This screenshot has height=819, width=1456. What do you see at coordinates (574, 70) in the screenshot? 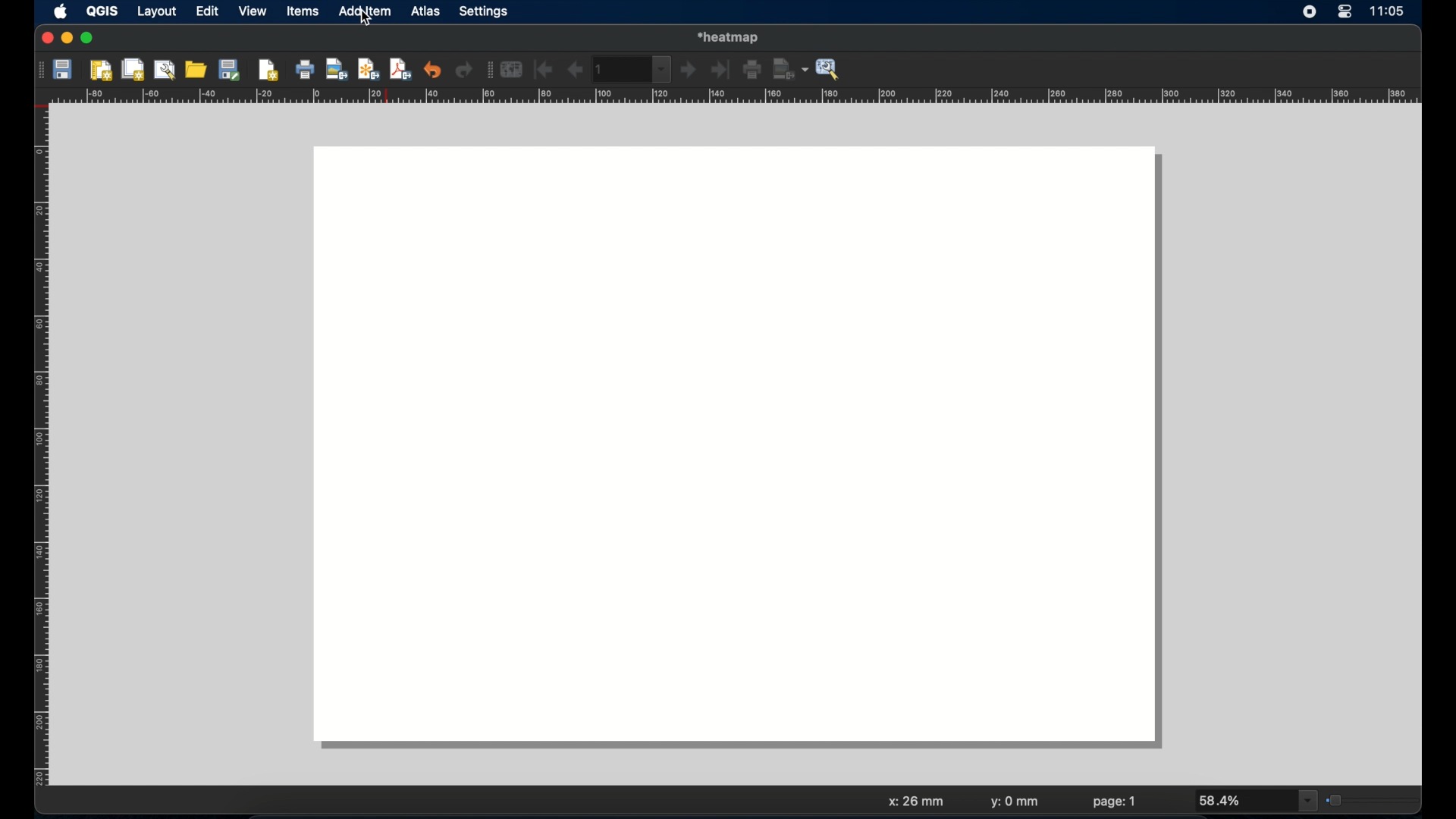
I see `previous feature` at bounding box center [574, 70].